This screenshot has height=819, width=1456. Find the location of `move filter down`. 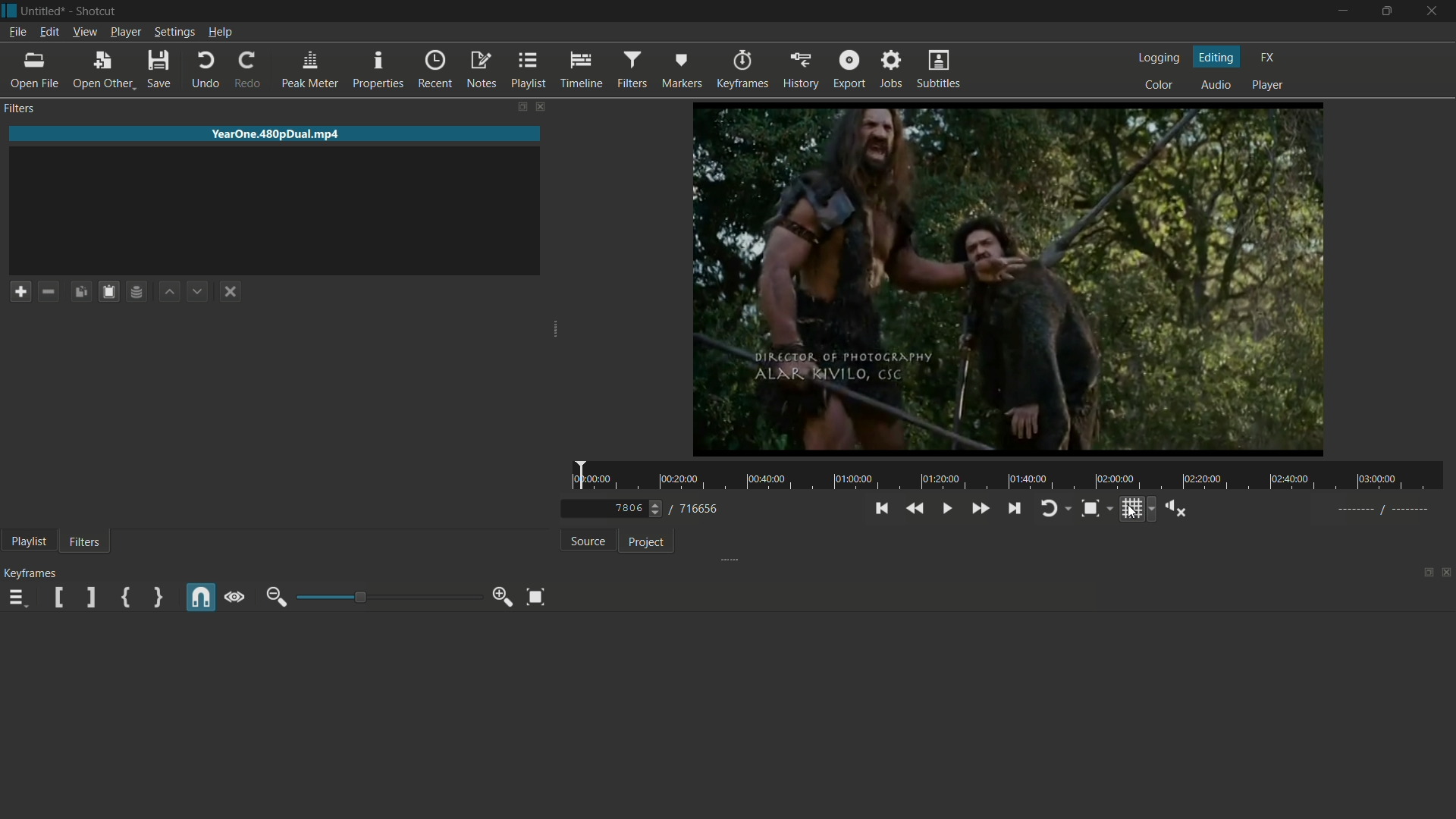

move filter down is located at coordinates (196, 291).